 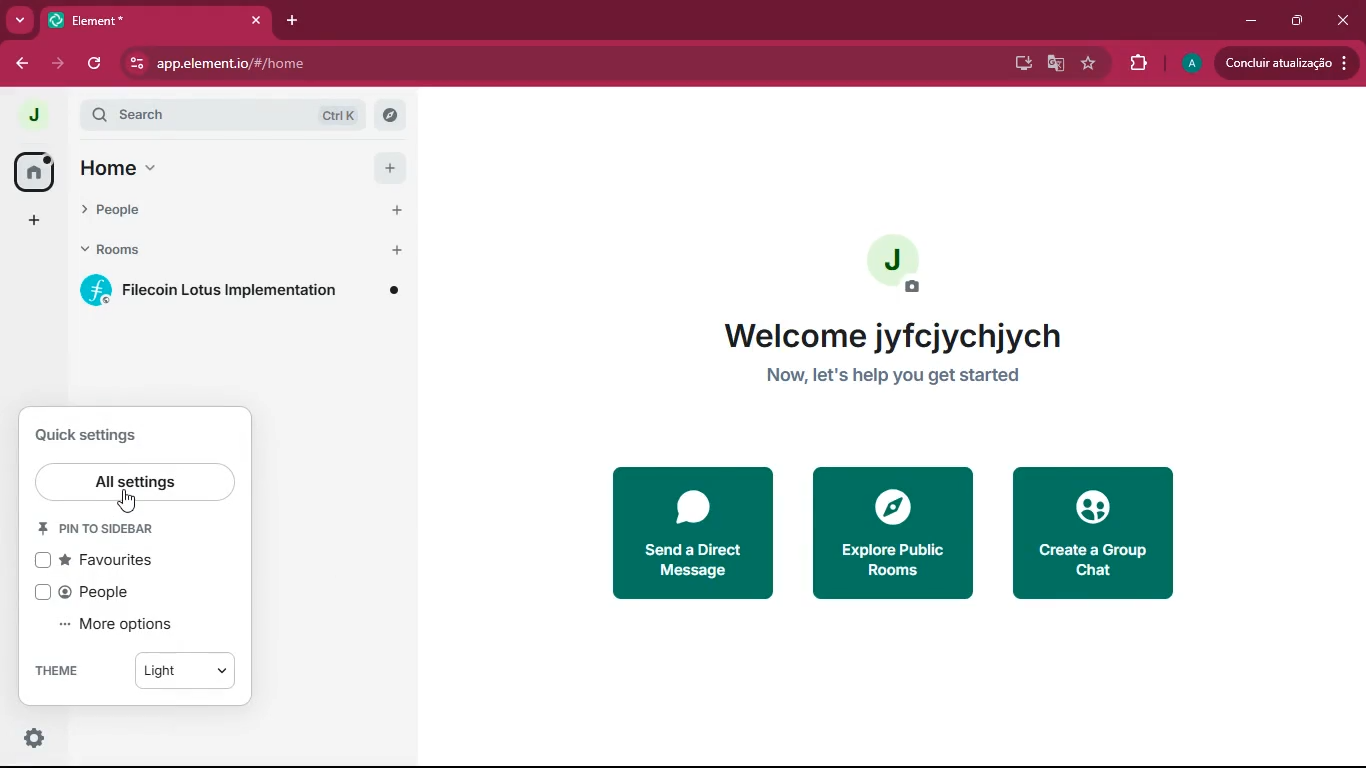 What do you see at coordinates (1192, 65) in the screenshot?
I see `profile` at bounding box center [1192, 65].